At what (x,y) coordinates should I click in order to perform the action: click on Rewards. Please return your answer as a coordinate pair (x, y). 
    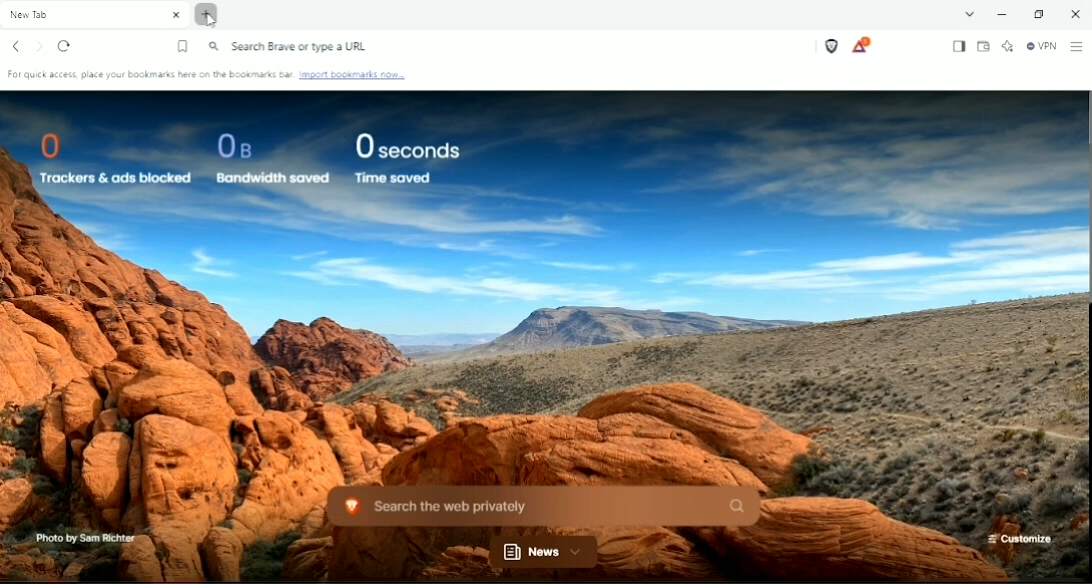
    Looking at the image, I should click on (863, 46).